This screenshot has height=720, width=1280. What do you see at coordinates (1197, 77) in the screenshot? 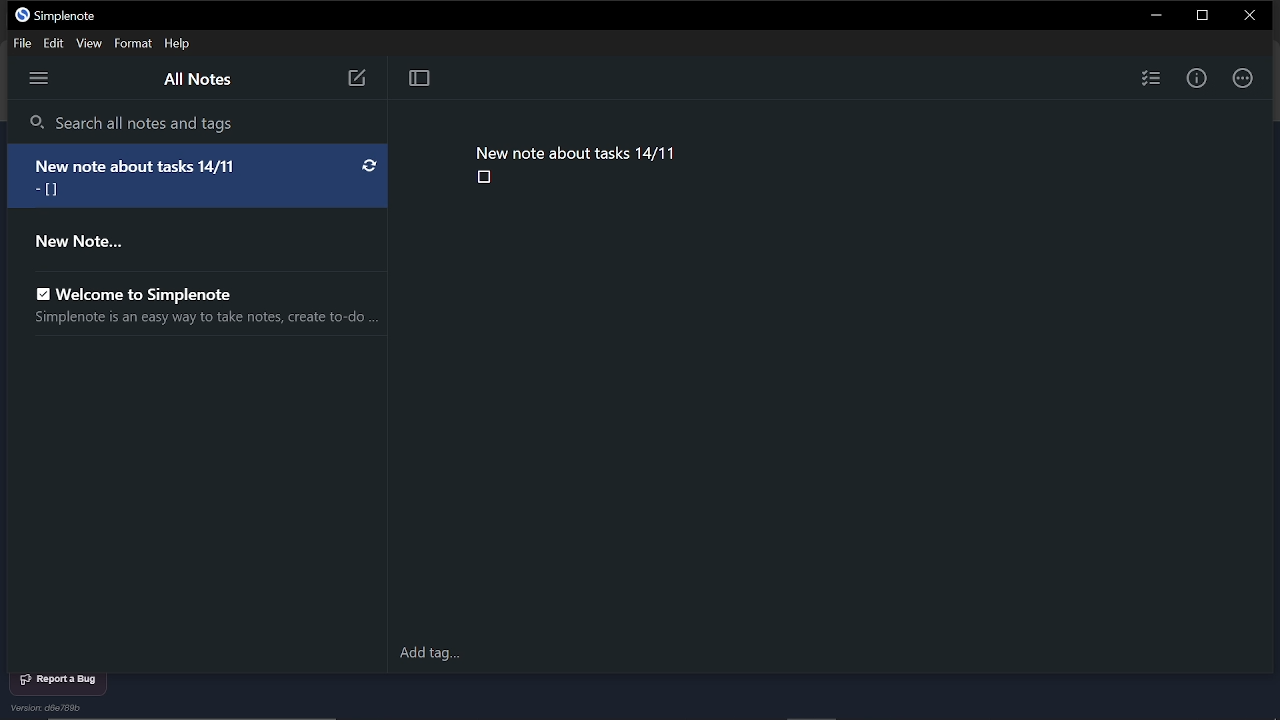
I see `Info` at bounding box center [1197, 77].